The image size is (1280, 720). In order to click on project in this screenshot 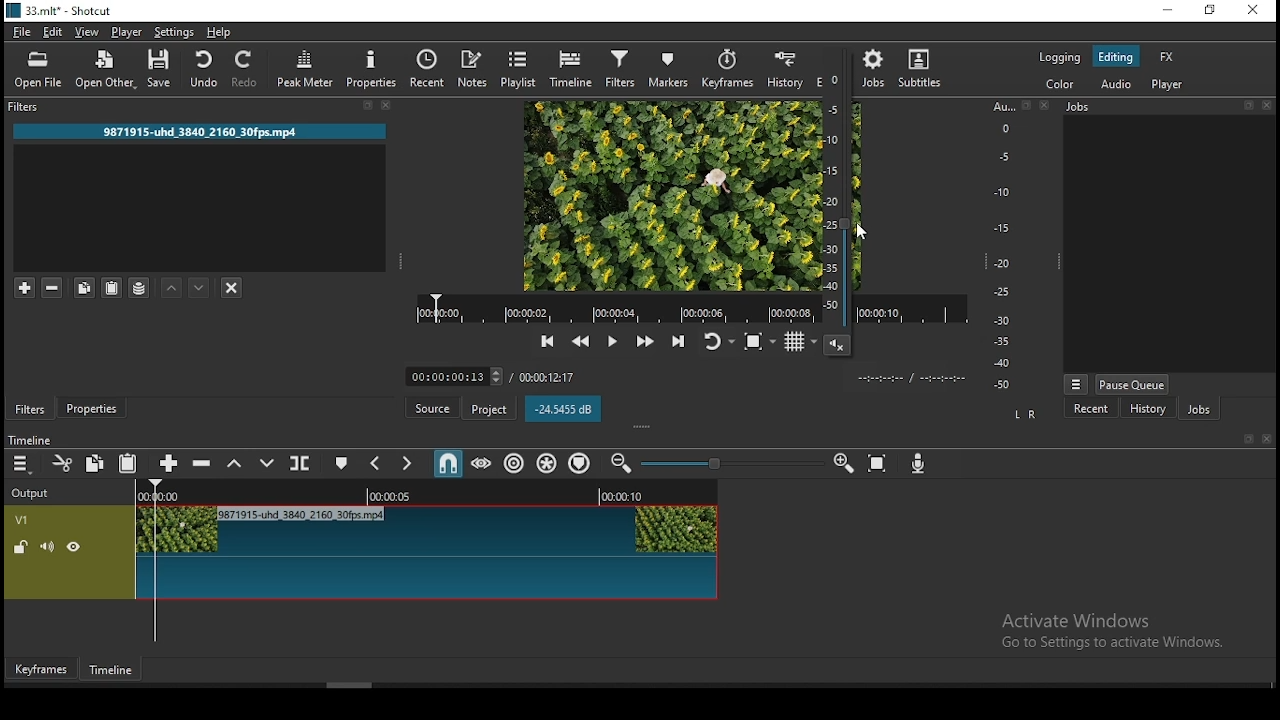, I will do `click(492, 410)`.